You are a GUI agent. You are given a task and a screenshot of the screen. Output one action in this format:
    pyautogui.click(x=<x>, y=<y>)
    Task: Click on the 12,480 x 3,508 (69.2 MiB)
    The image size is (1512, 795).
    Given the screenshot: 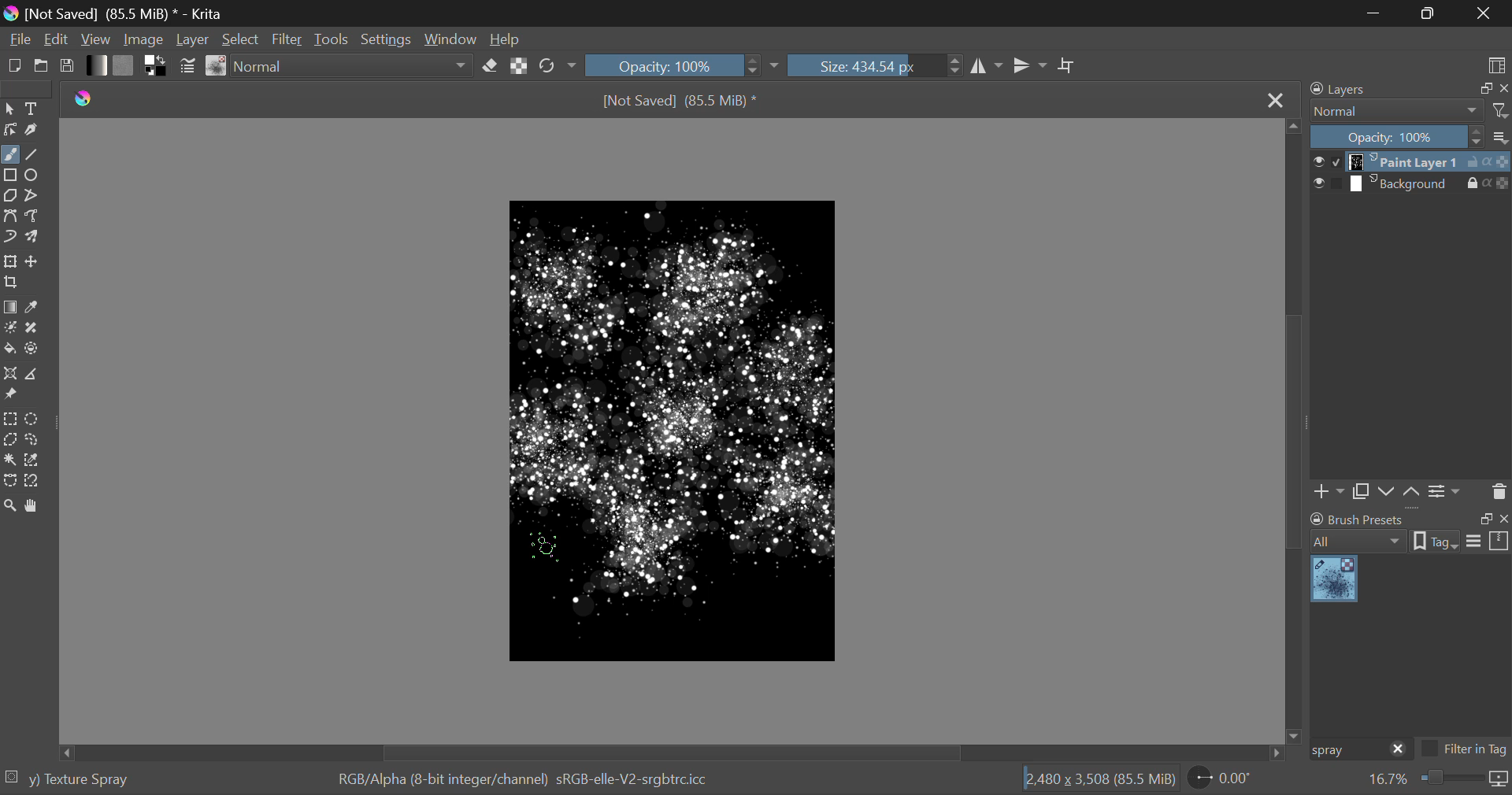 What is the action you would take?
    pyautogui.click(x=1100, y=778)
    